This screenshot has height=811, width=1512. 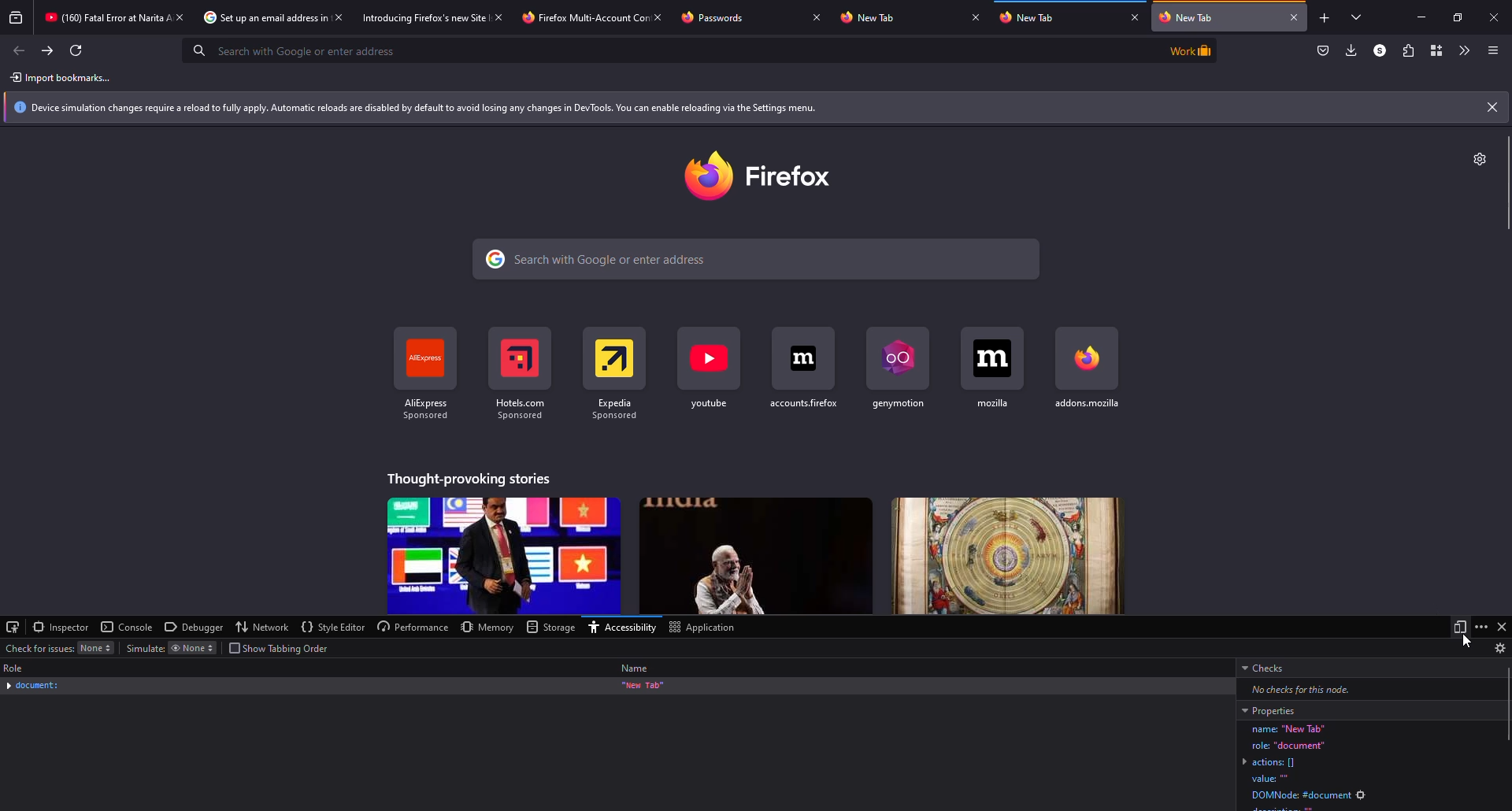 What do you see at coordinates (993, 369) in the screenshot?
I see `Mozilla shortcut` at bounding box center [993, 369].